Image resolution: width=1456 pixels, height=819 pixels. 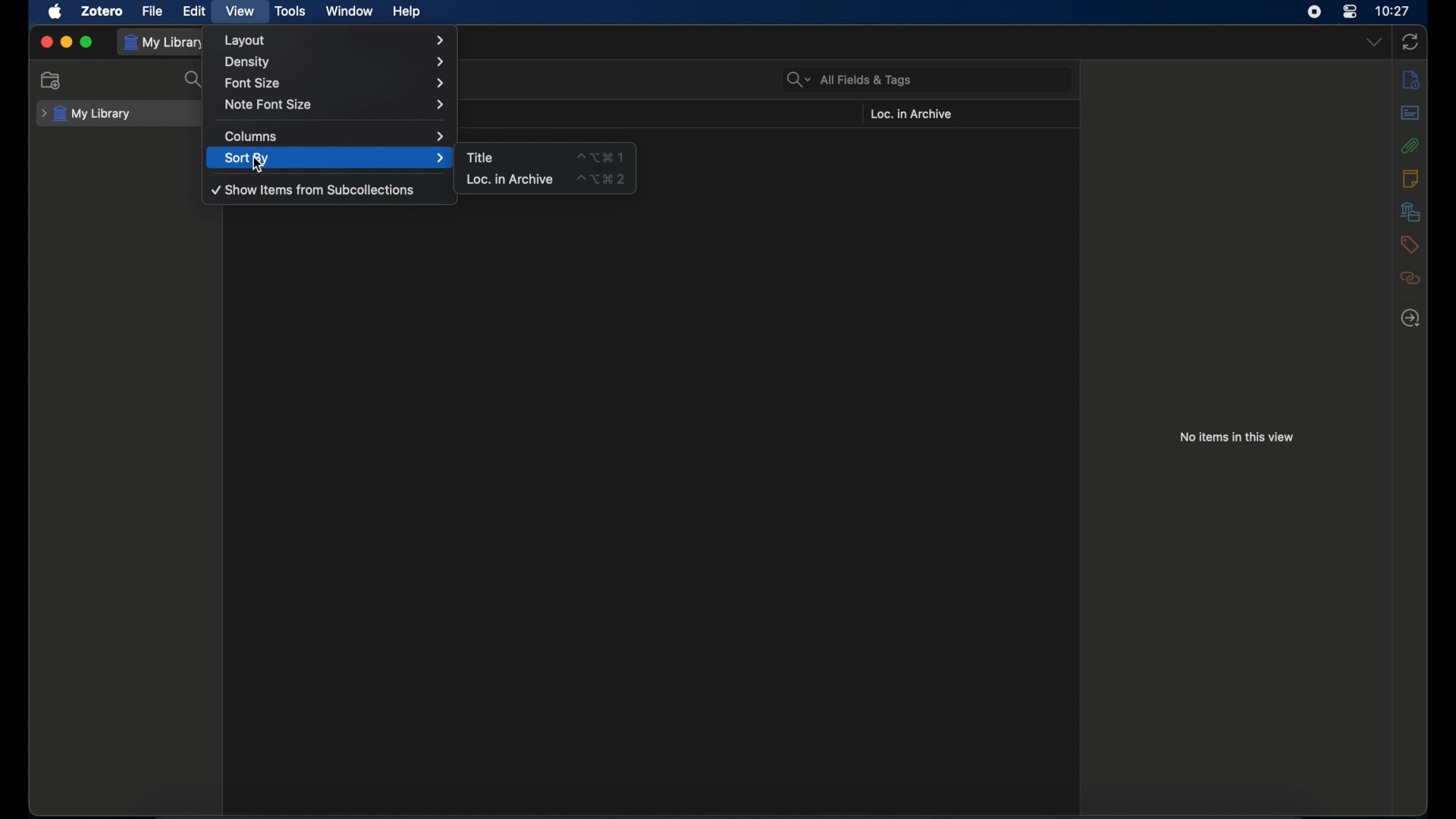 What do you see at coordinates (288, 11) in the screenshot?
I see `tools` at bounding box center [288, 11].